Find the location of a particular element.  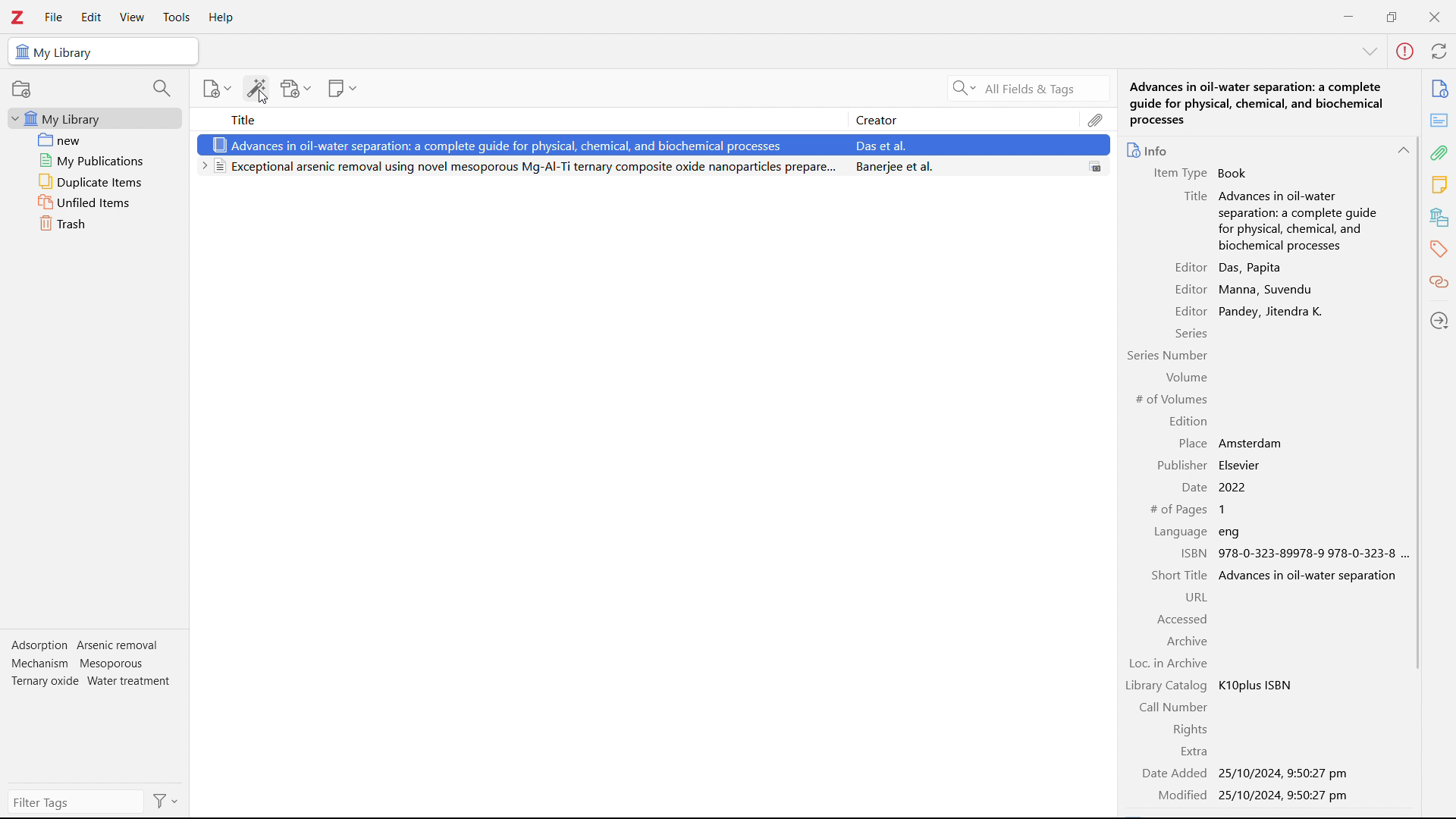

Elsevier is located at coordinates (1242, 465).